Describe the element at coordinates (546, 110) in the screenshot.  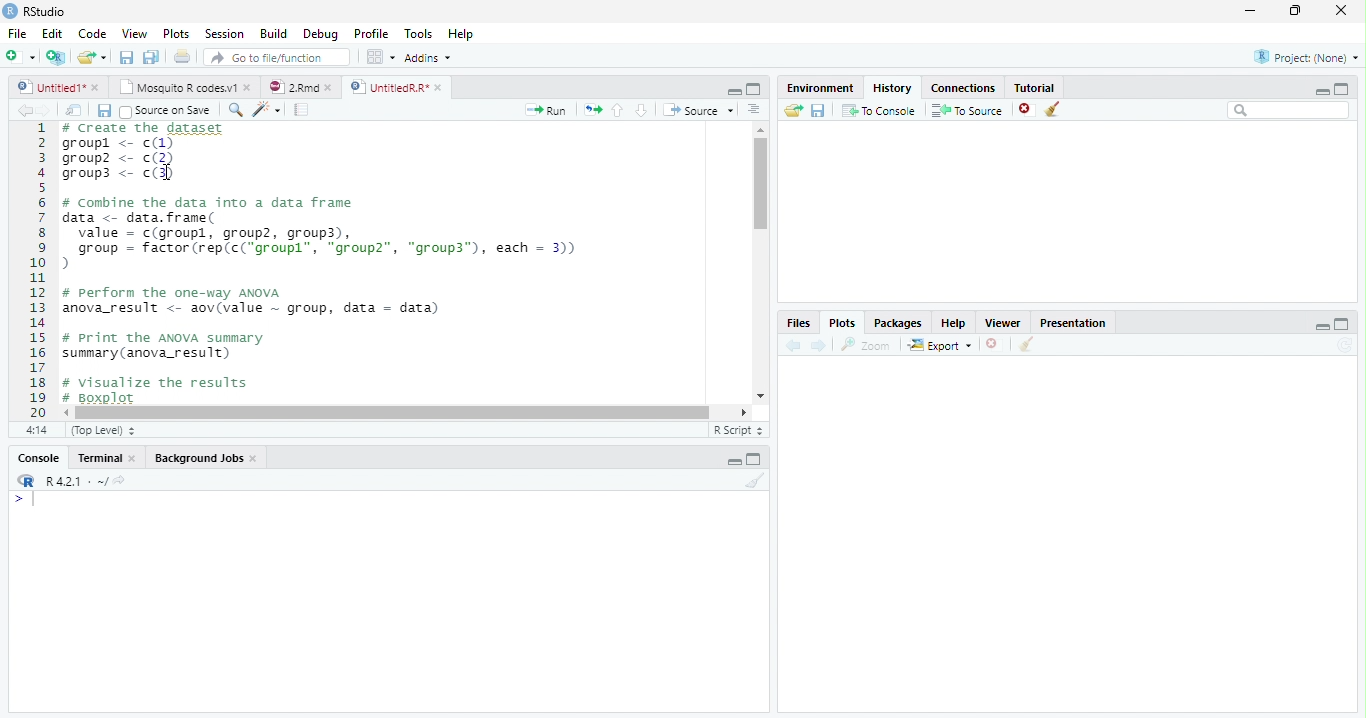
I see `Run` at that location.